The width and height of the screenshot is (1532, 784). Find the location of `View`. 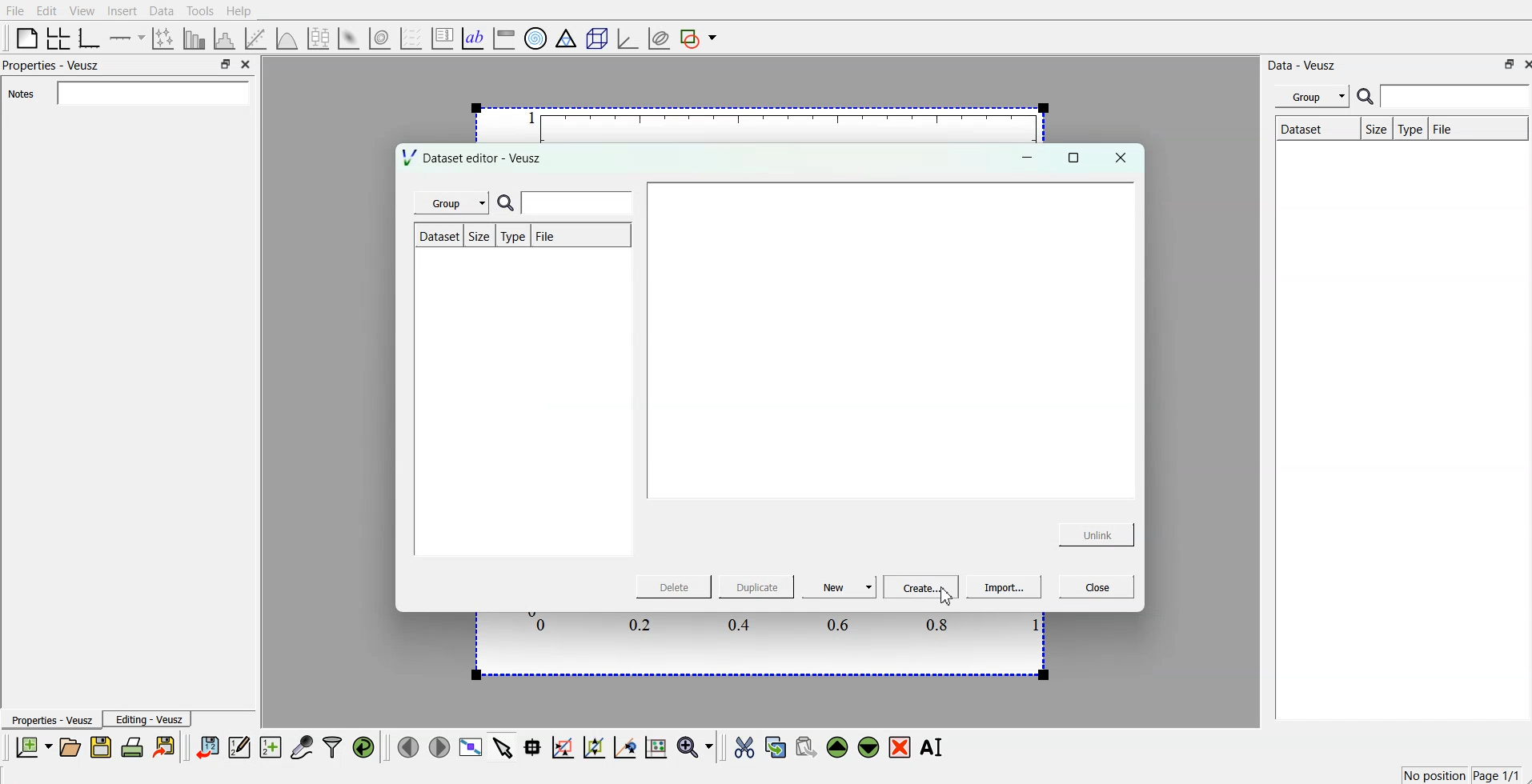

View is located at coordinates (82, 10).